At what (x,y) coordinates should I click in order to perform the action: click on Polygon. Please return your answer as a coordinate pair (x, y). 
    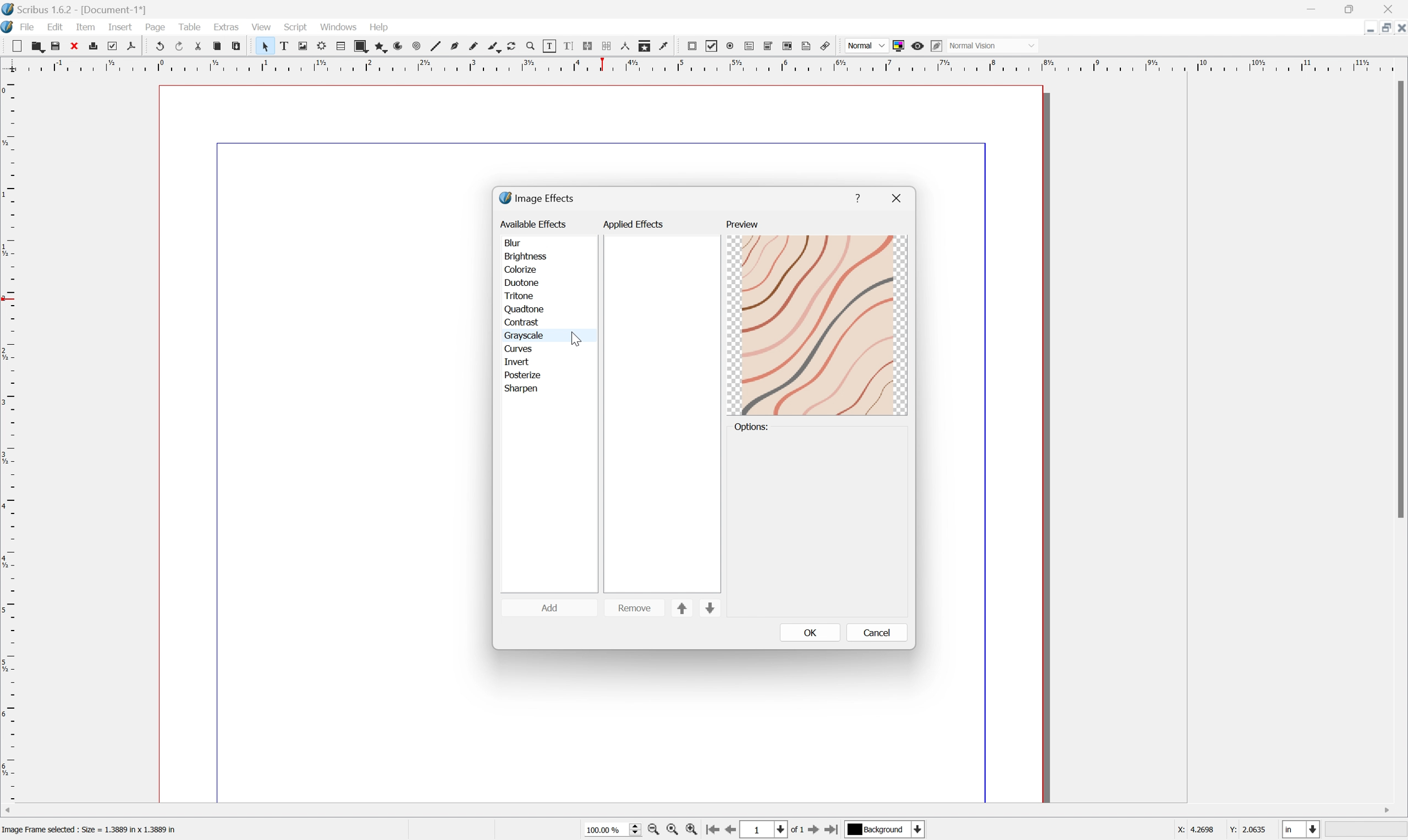
    Looking at the image, I should click on (382, 48).